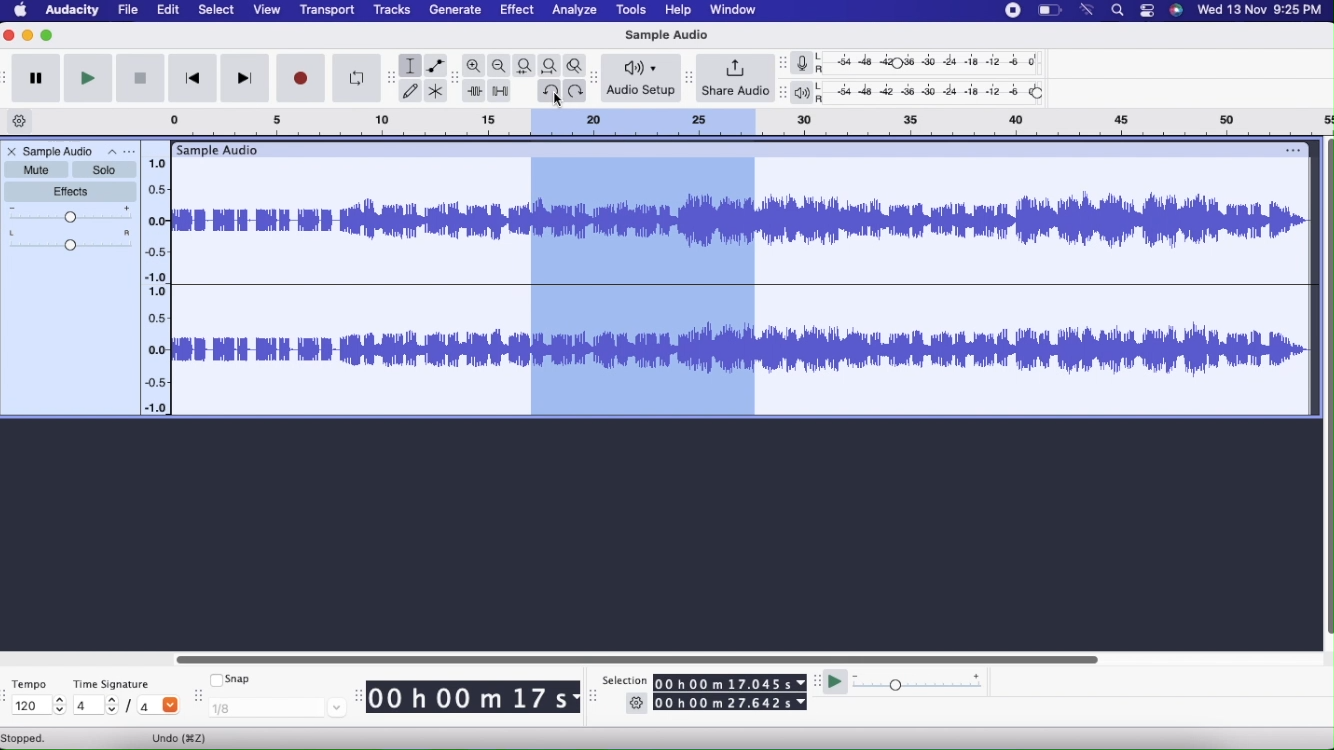 The width and height of the screenshot is (1334, 750). I want to click on Audio Track Undo, so click(646, 289).